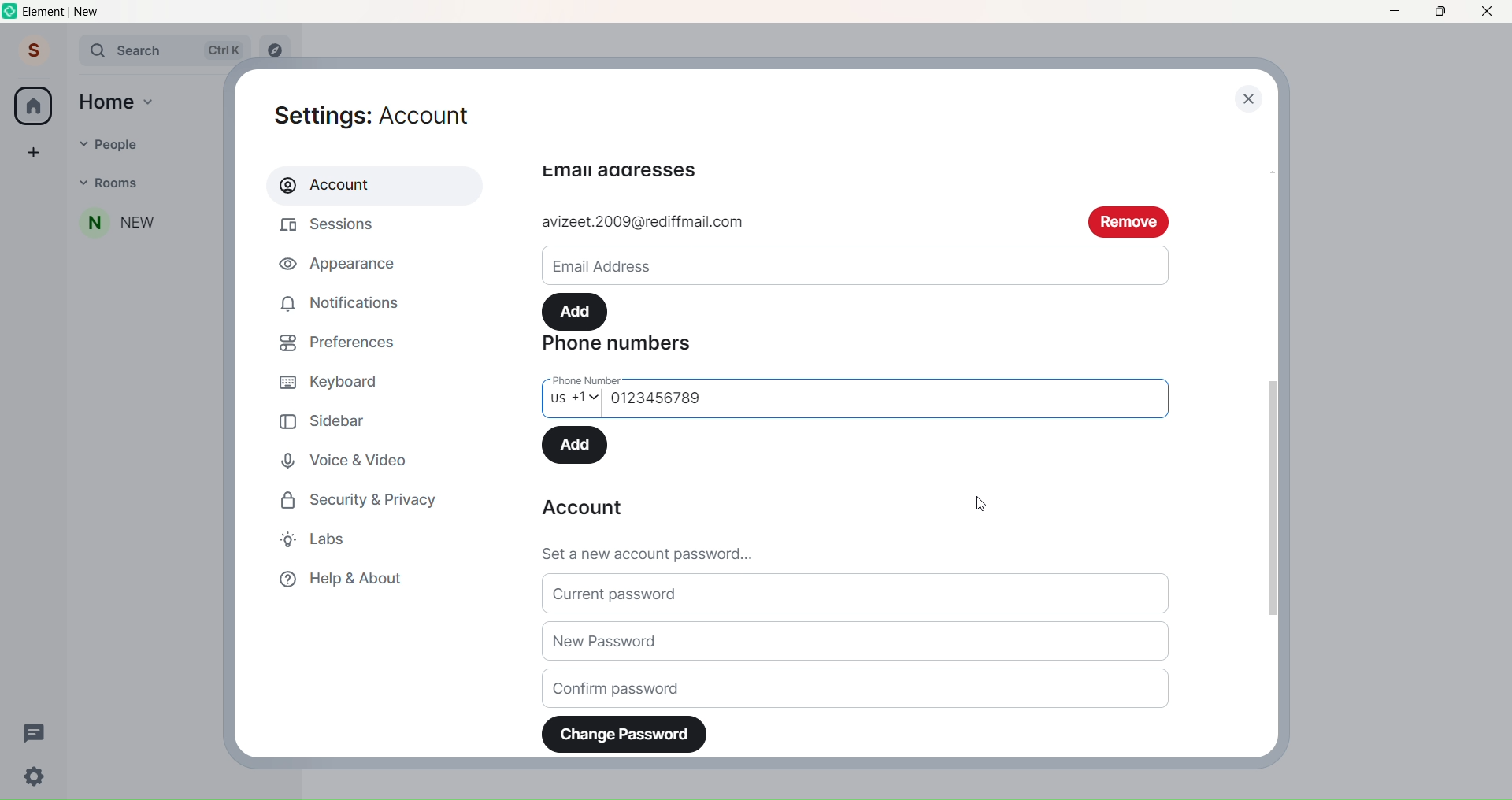 This screenshot has width=1512, height=800. Describe the element at coordinates (31, 52) in the screenshot. I see `Profile` at that location.